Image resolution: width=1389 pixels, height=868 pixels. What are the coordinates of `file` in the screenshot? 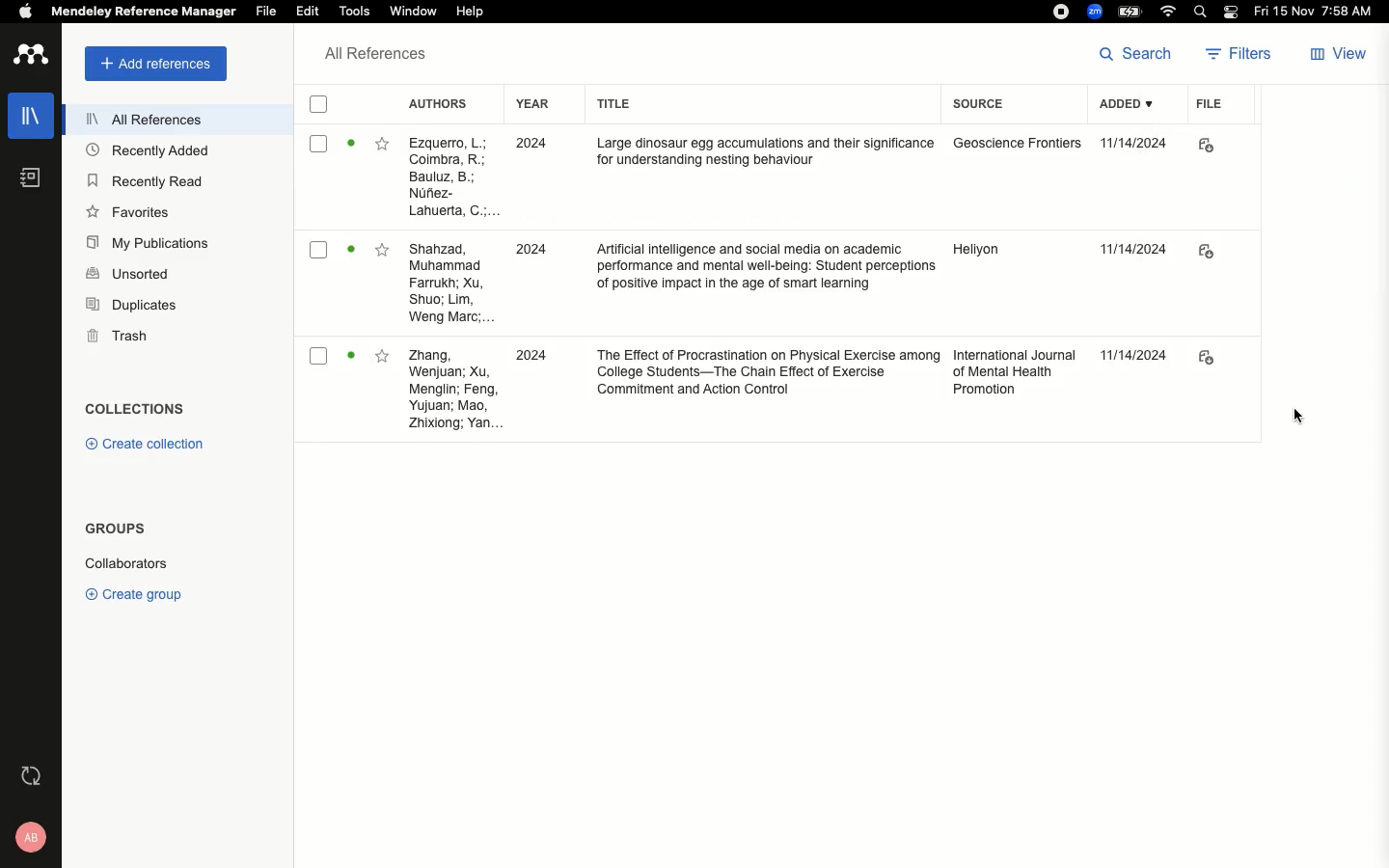 It's located at (1209, 102).